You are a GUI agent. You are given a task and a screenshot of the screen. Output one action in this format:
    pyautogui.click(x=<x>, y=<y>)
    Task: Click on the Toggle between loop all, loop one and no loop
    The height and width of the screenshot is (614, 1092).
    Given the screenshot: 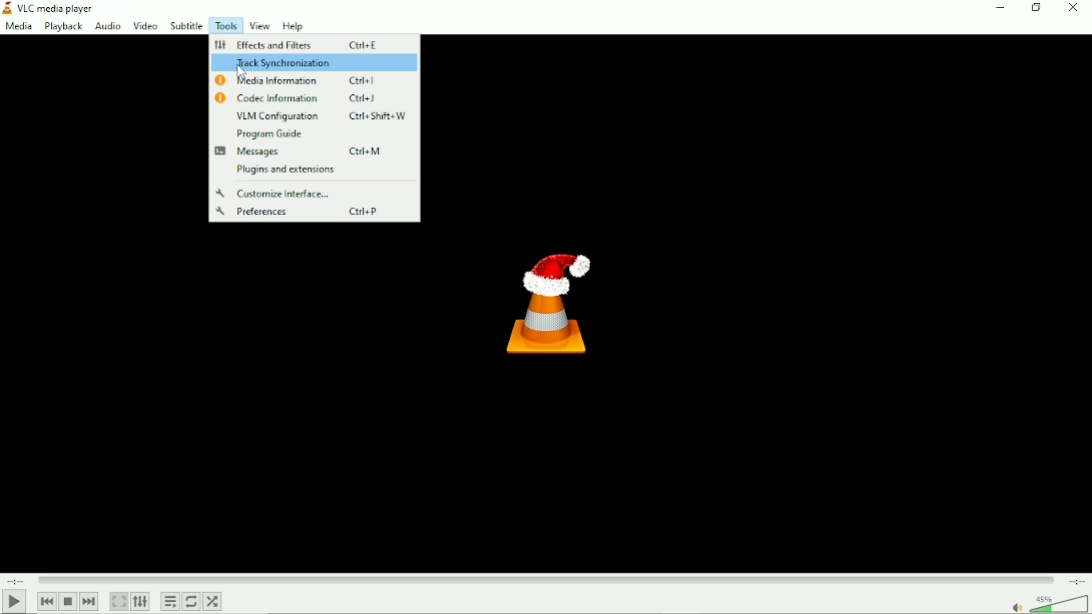 What is the action you would take?
    pyautogui.click(x=191, y=601)
    